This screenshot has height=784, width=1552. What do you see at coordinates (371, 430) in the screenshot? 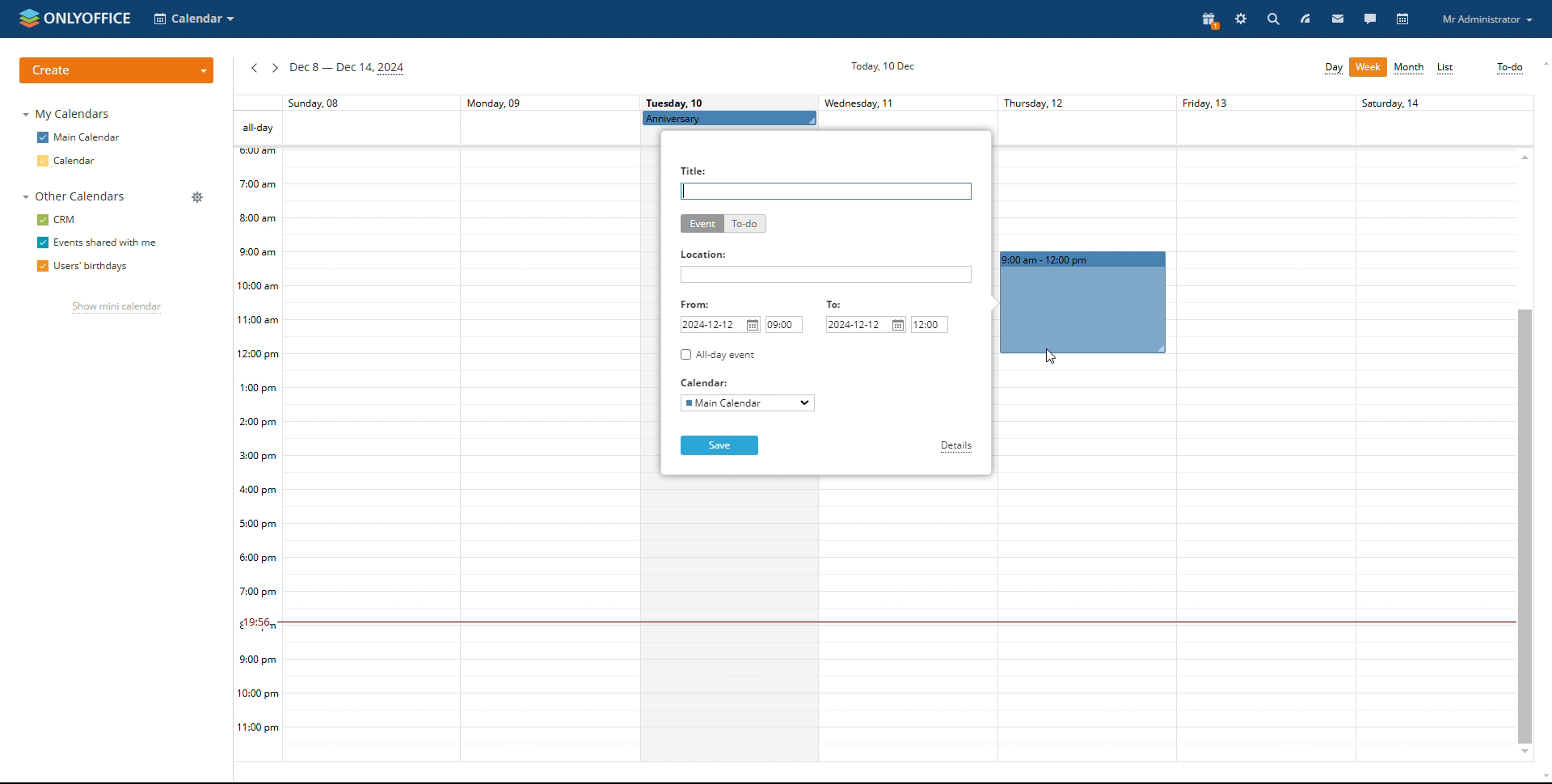
I see `sunday` at bounding box center [371, 430].